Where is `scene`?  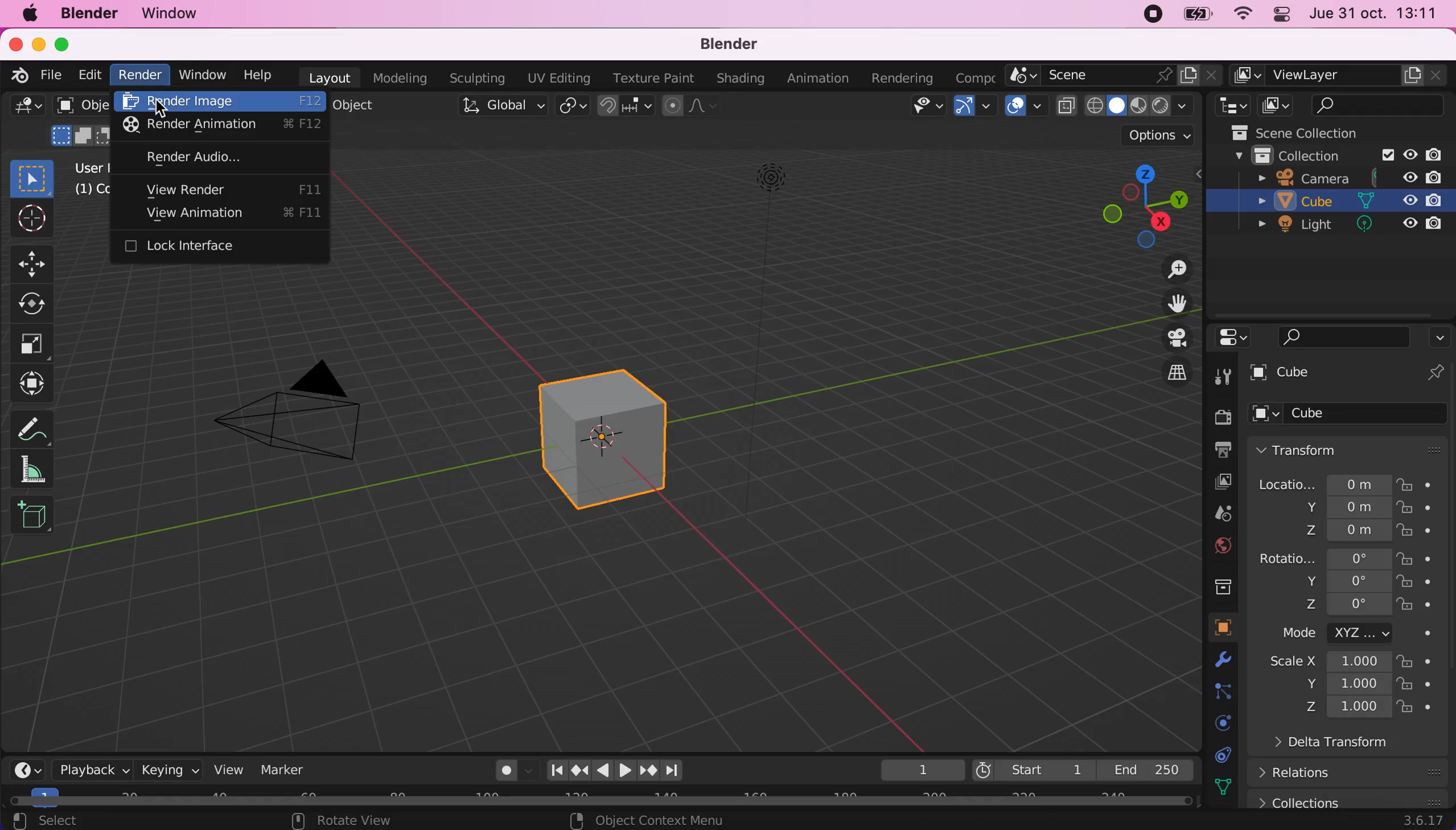 scene is located at coordinates (1113, 74).